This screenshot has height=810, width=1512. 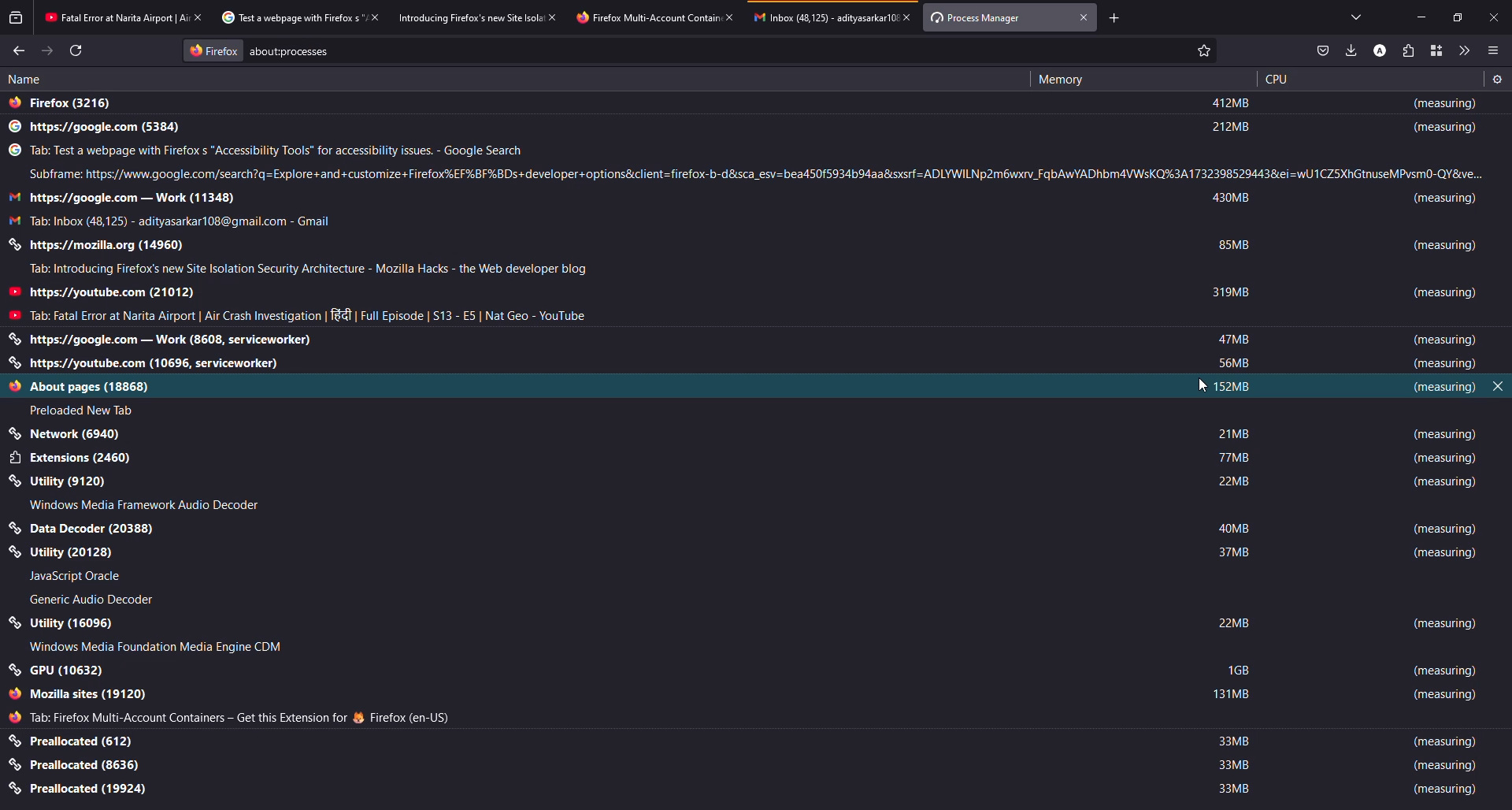 What do you see at coordinates (72, 459) in the screenshot?
I see `Extensions 2460` at bounding box center [72, 459].